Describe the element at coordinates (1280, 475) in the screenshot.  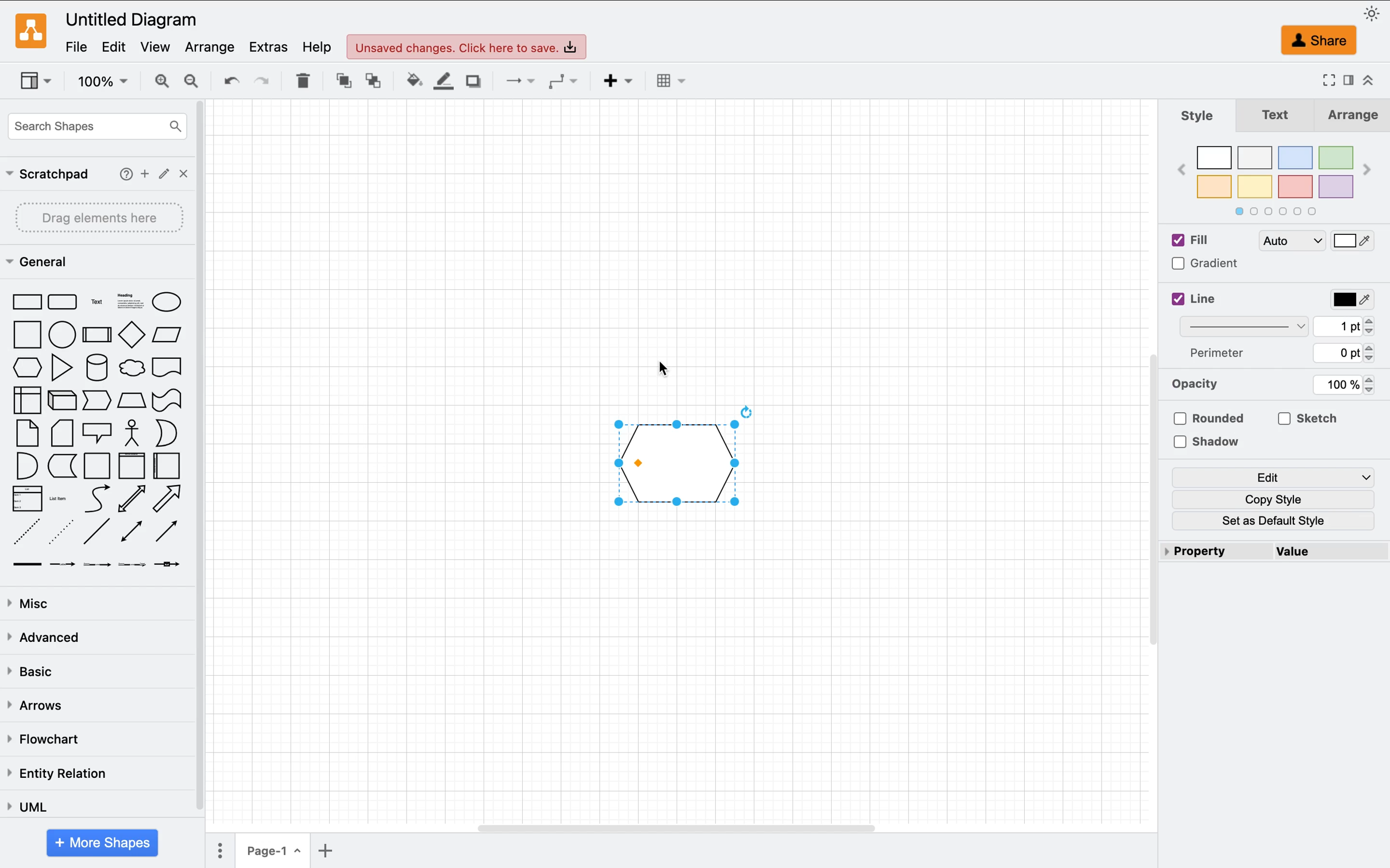
I see `Edit` at that location.